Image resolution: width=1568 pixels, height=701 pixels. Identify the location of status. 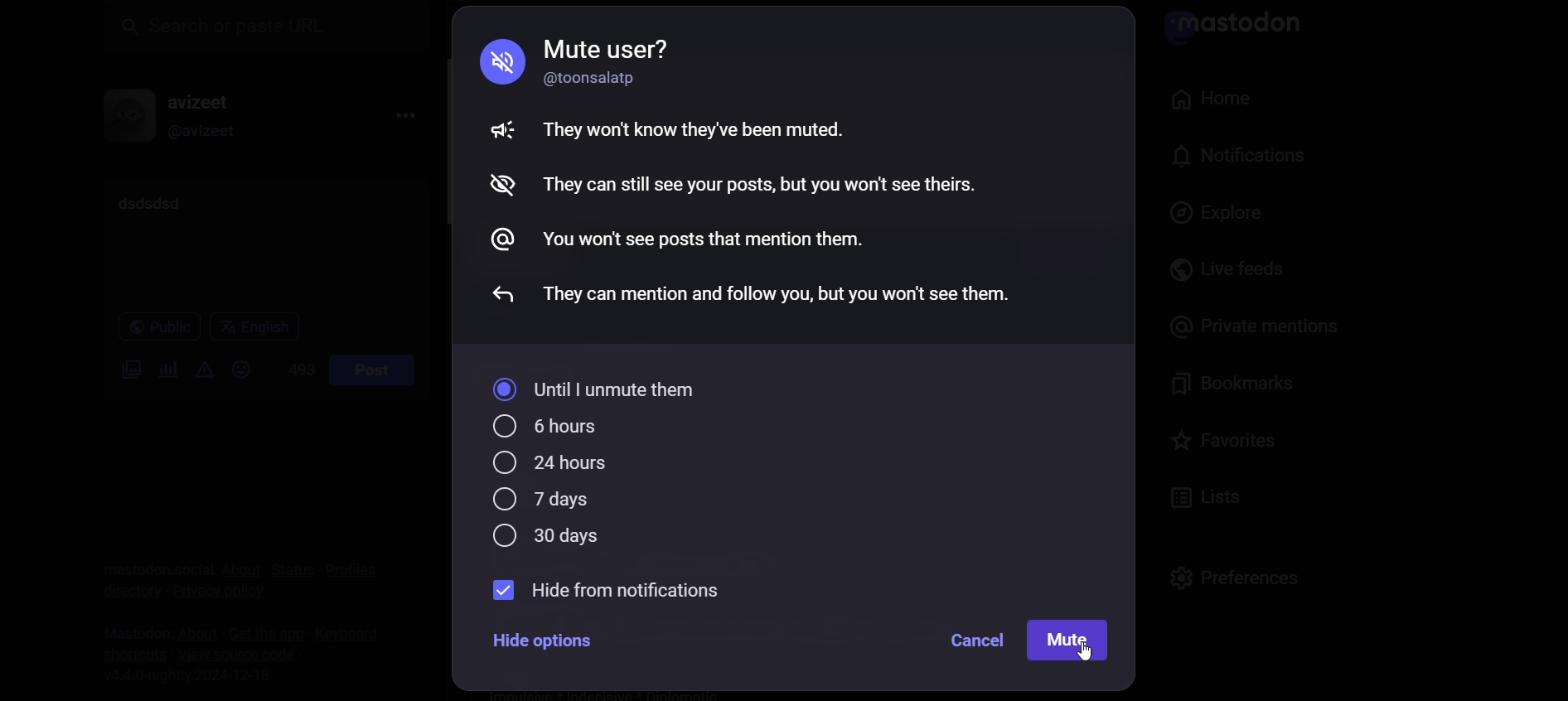
(288, 561).